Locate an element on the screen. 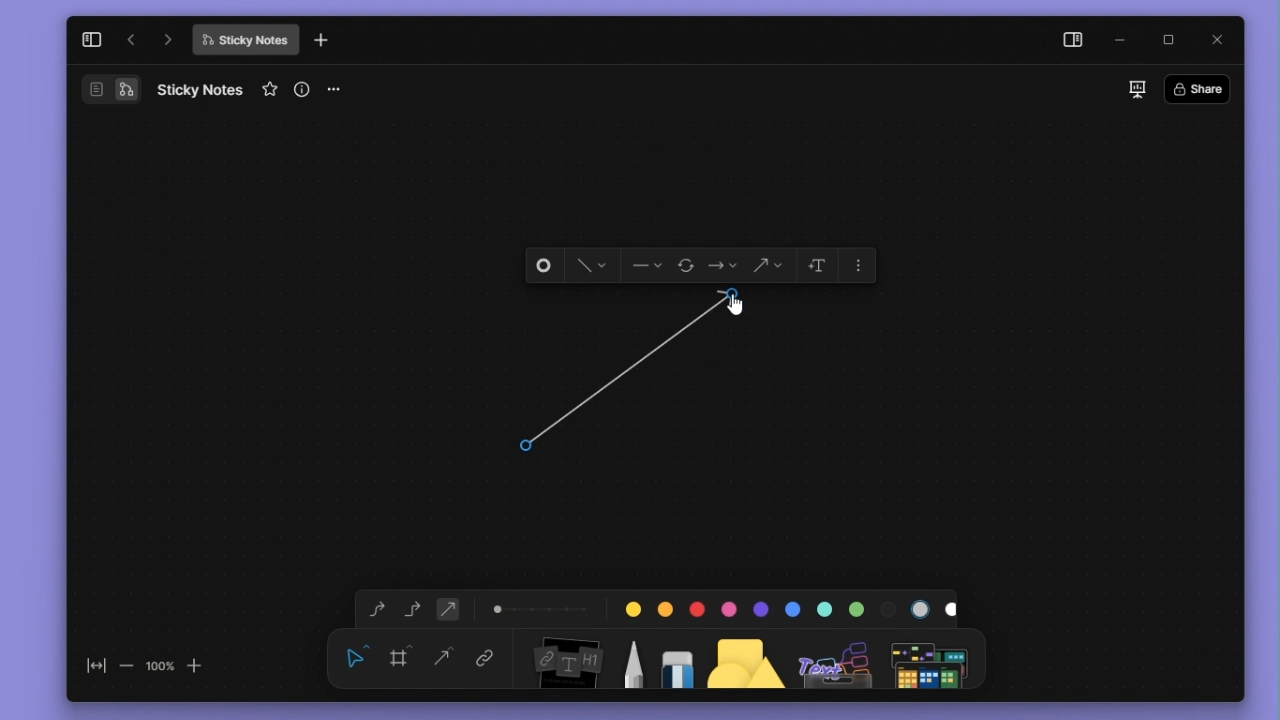  select is located at coordinates (356, 656).